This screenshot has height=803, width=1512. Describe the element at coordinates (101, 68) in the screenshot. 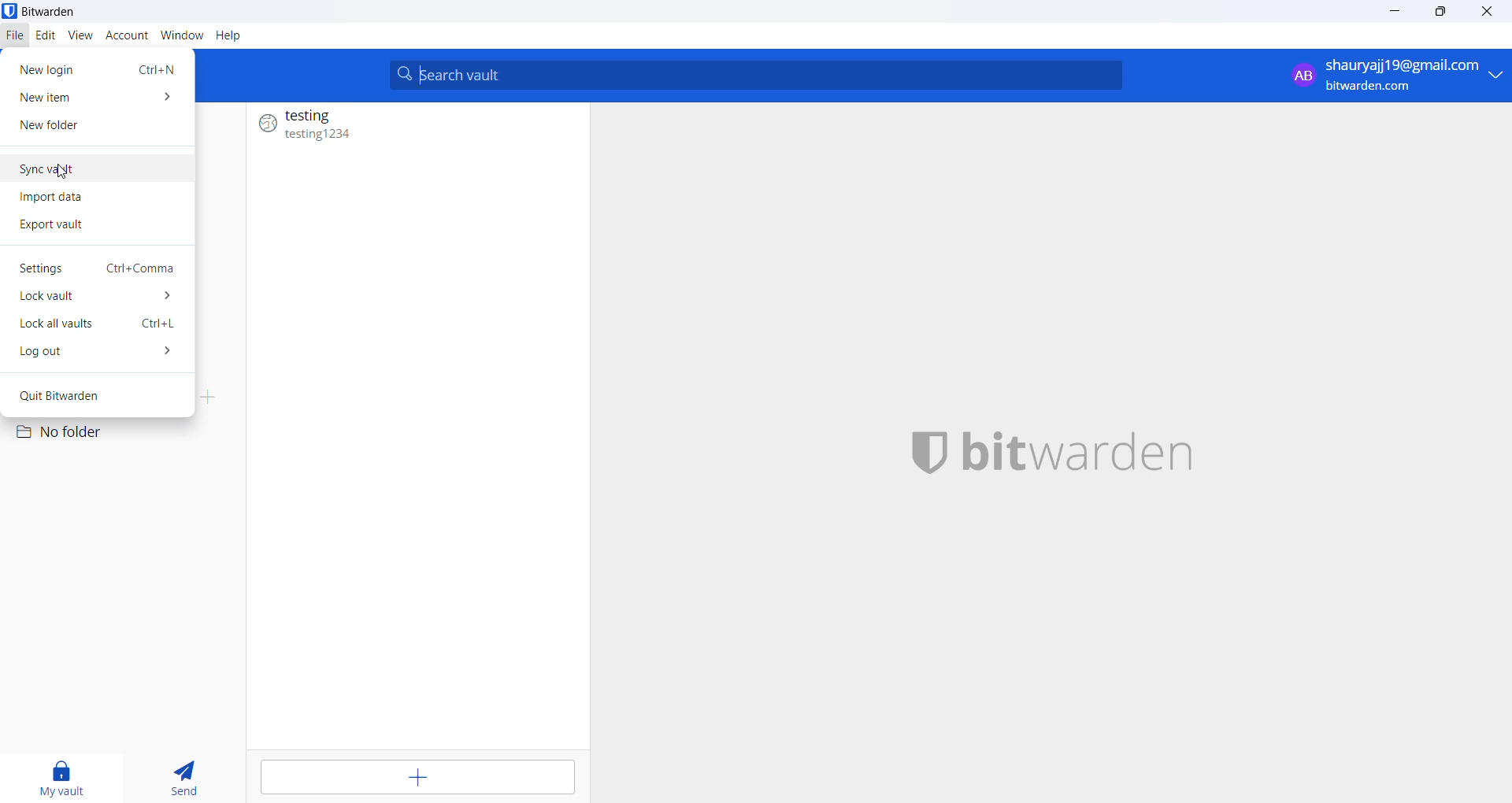

I see `new login` at that location.